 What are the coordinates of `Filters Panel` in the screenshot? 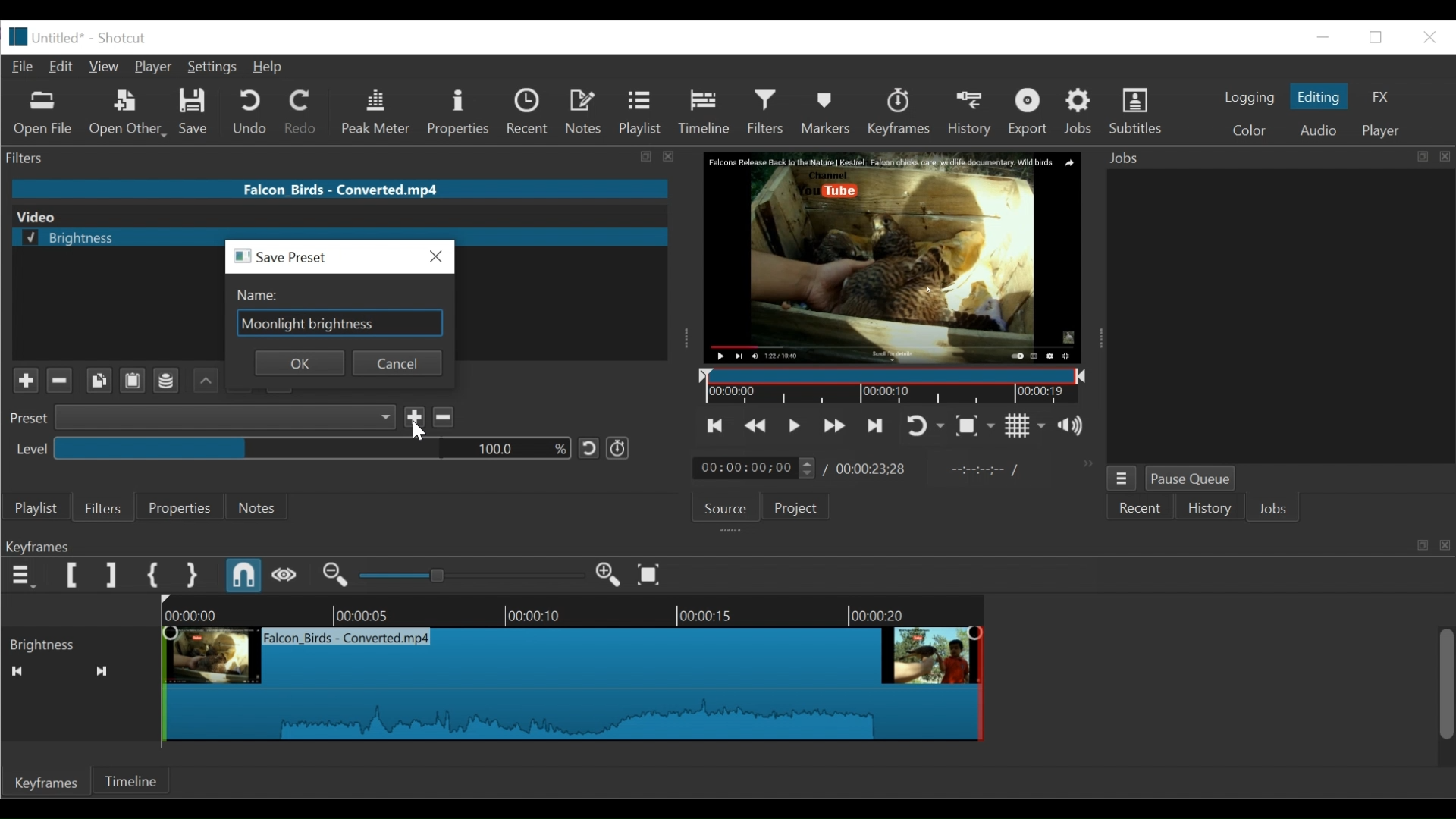 It's located at (344, 158).